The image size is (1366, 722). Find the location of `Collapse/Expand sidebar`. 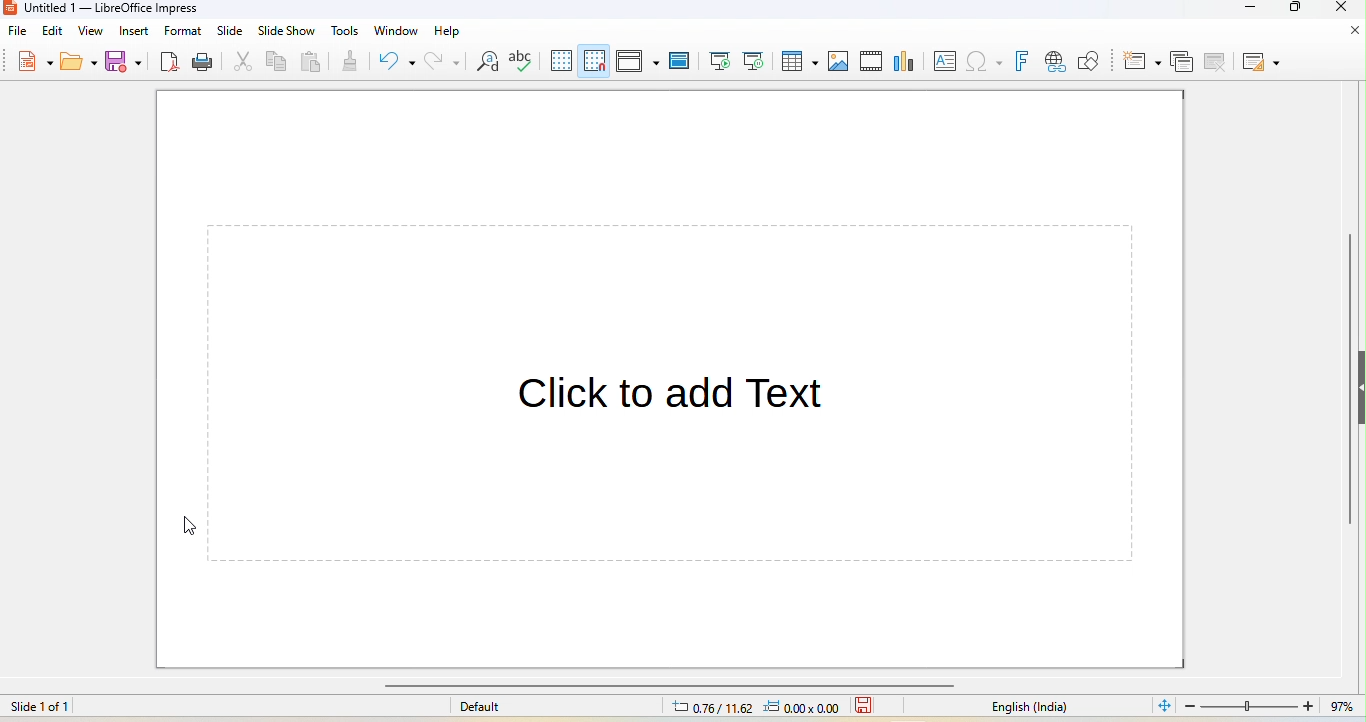

Collapse/Expand sidebar is located at coordinates (1362, 388).